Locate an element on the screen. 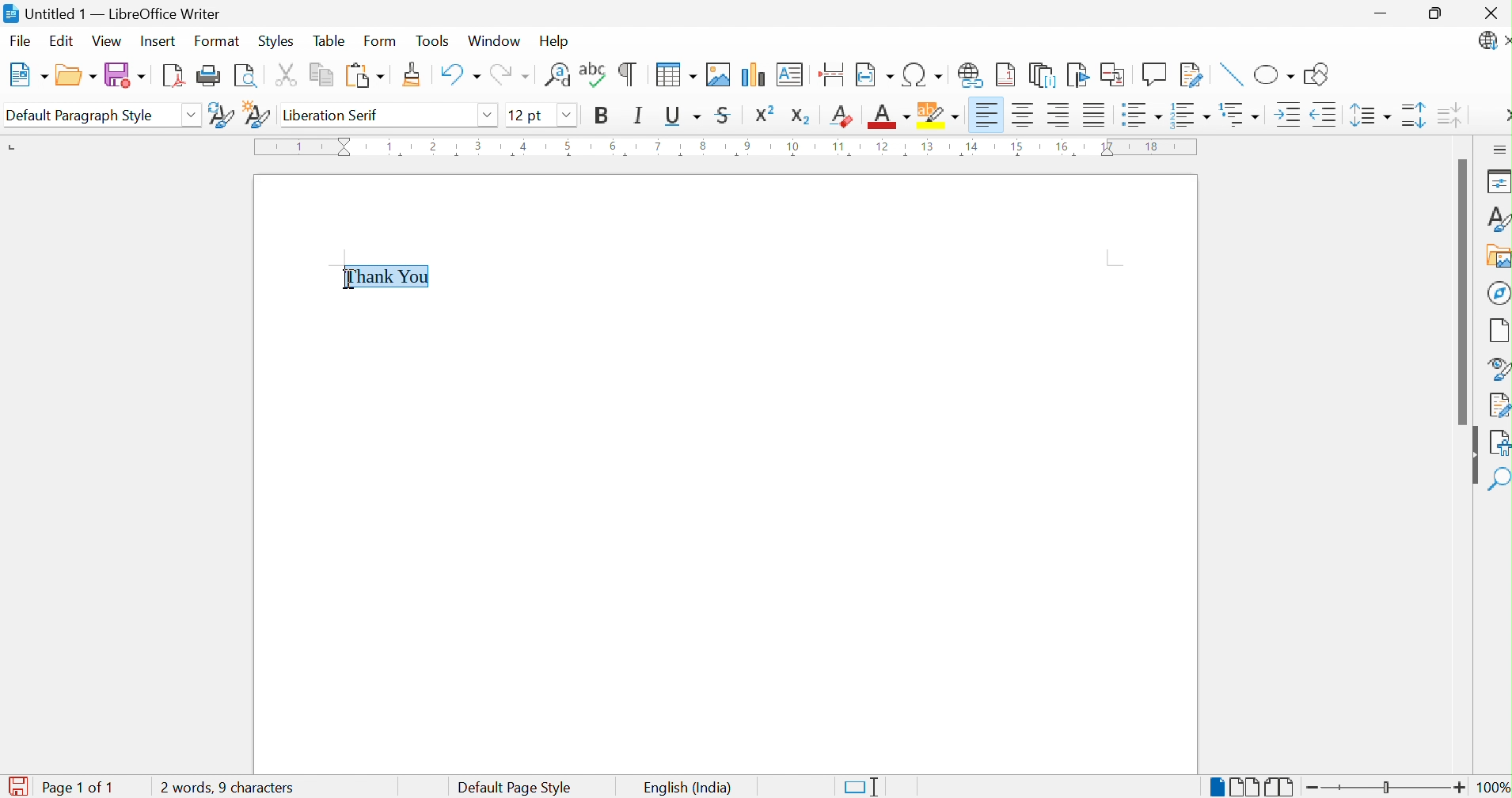 The height and width of the screenshot is (798, 1512). Hide is located at coordinates (1471, 456).